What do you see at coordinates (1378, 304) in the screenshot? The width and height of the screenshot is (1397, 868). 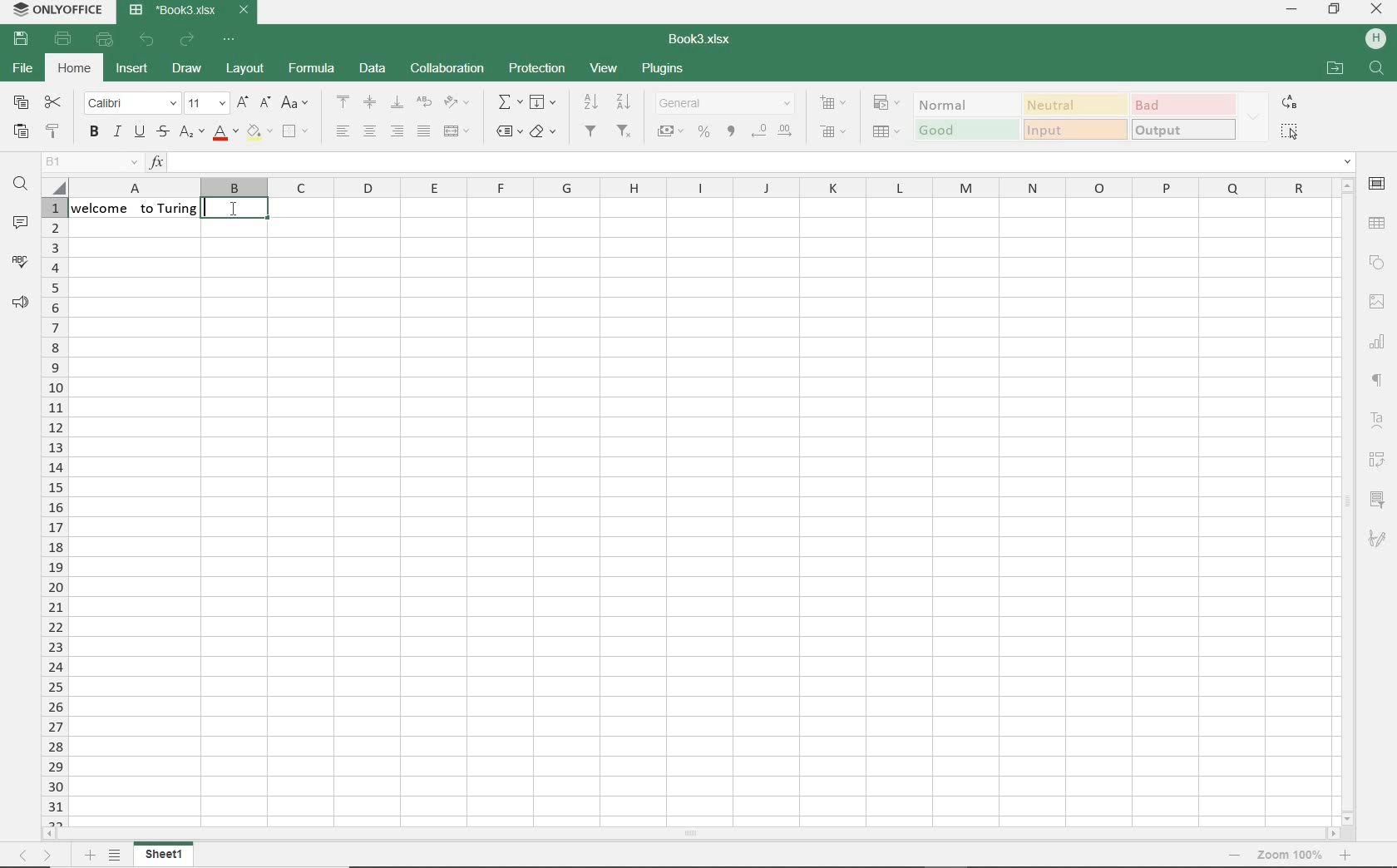 I see `image` at bounding box center [1378, 304].